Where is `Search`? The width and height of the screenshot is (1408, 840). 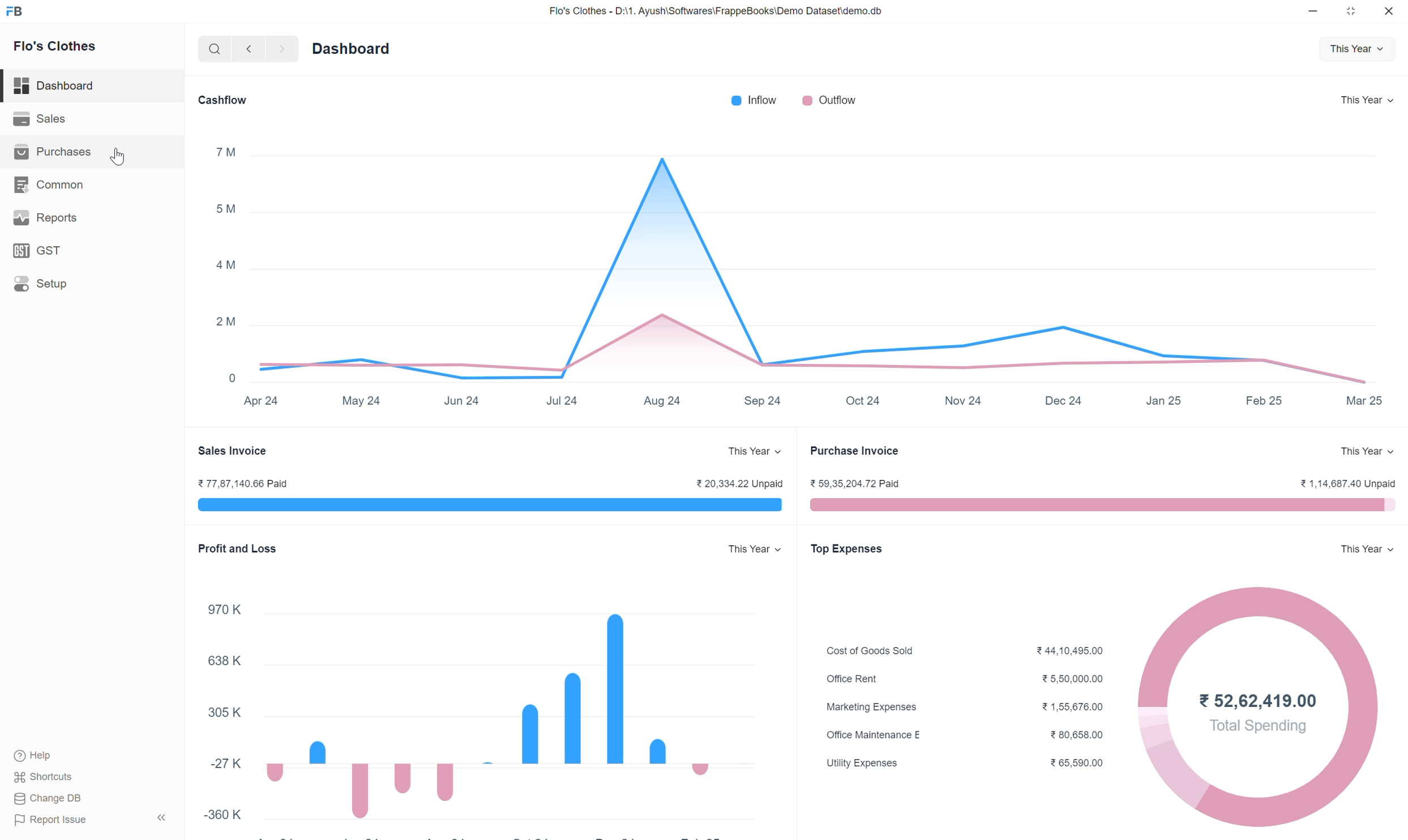
Search is located at coordinates (215, 49).